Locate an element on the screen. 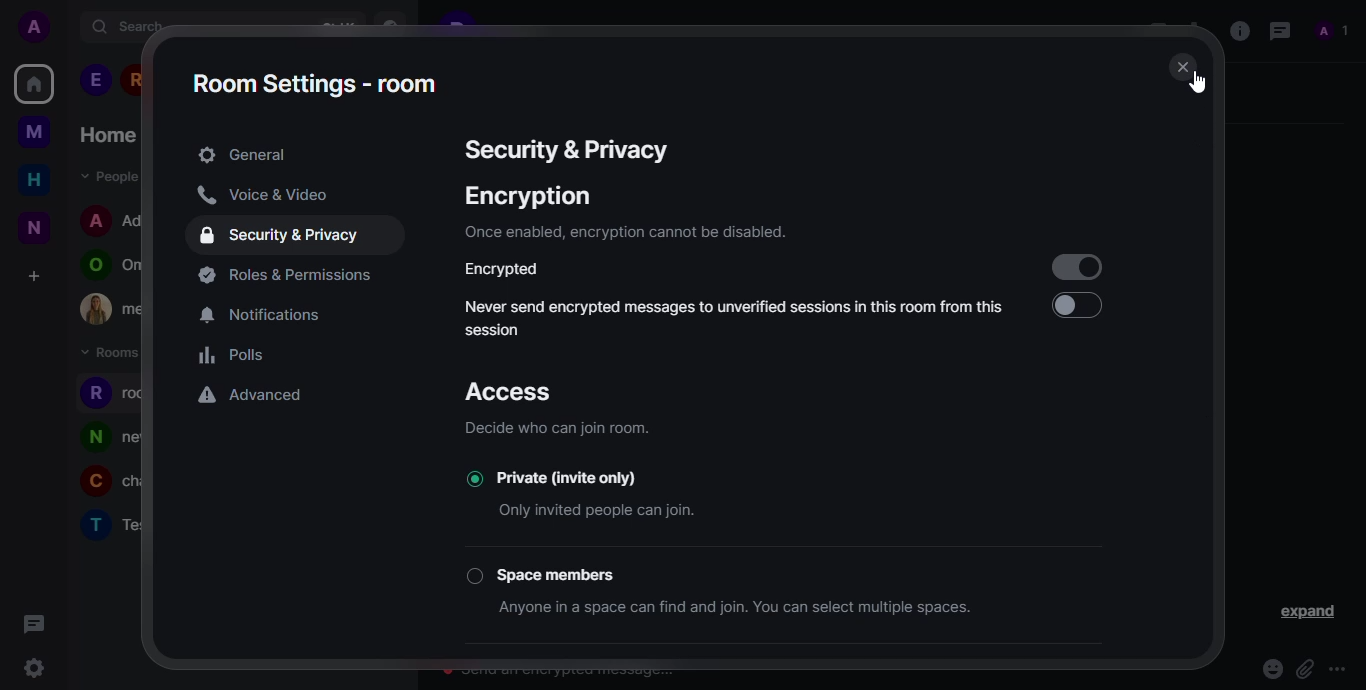  space is located at coordinates (565, 573).